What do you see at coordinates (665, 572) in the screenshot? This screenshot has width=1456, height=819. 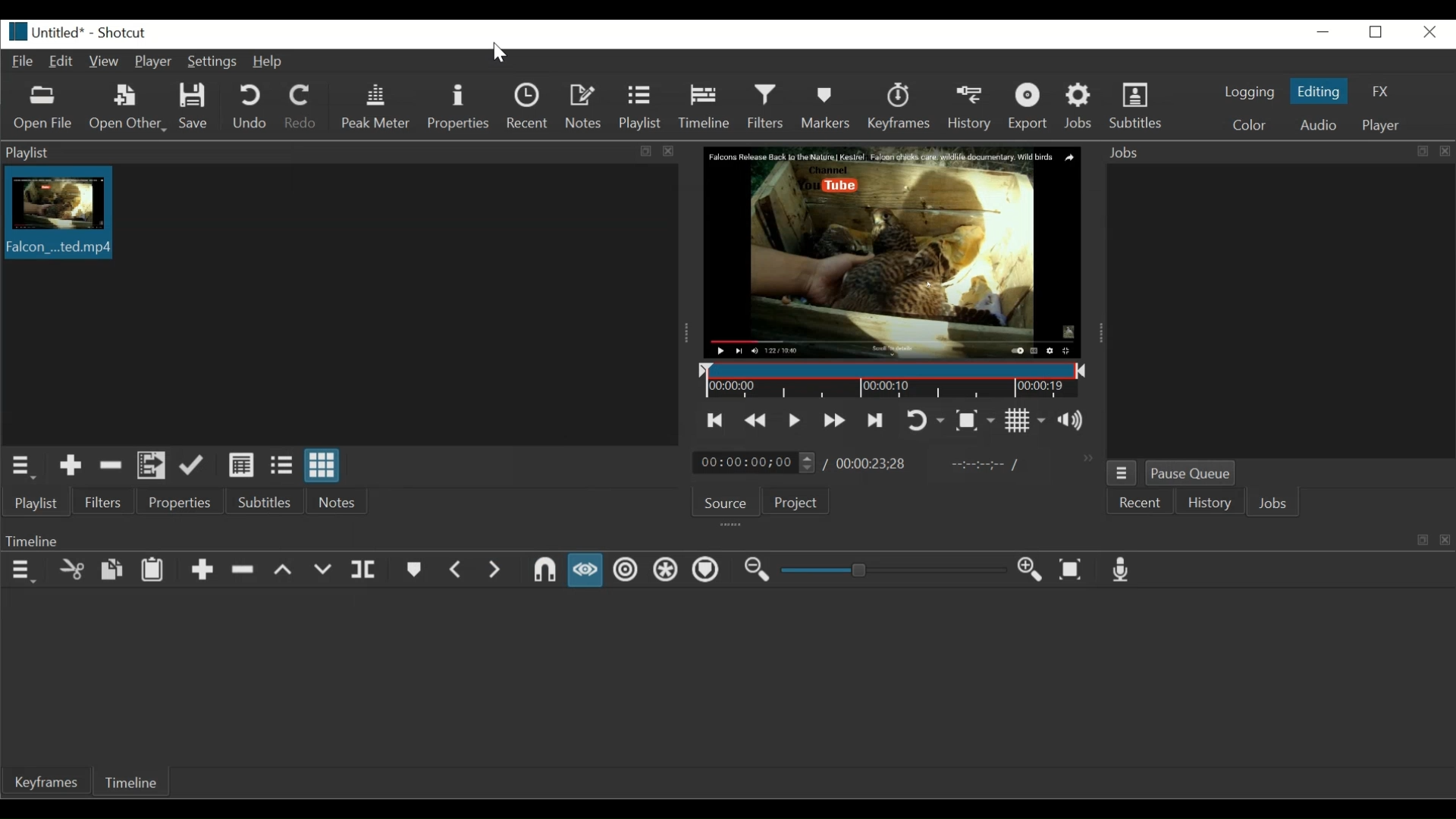 I see `Ripple all tracks` at bounding box center [665, 572].